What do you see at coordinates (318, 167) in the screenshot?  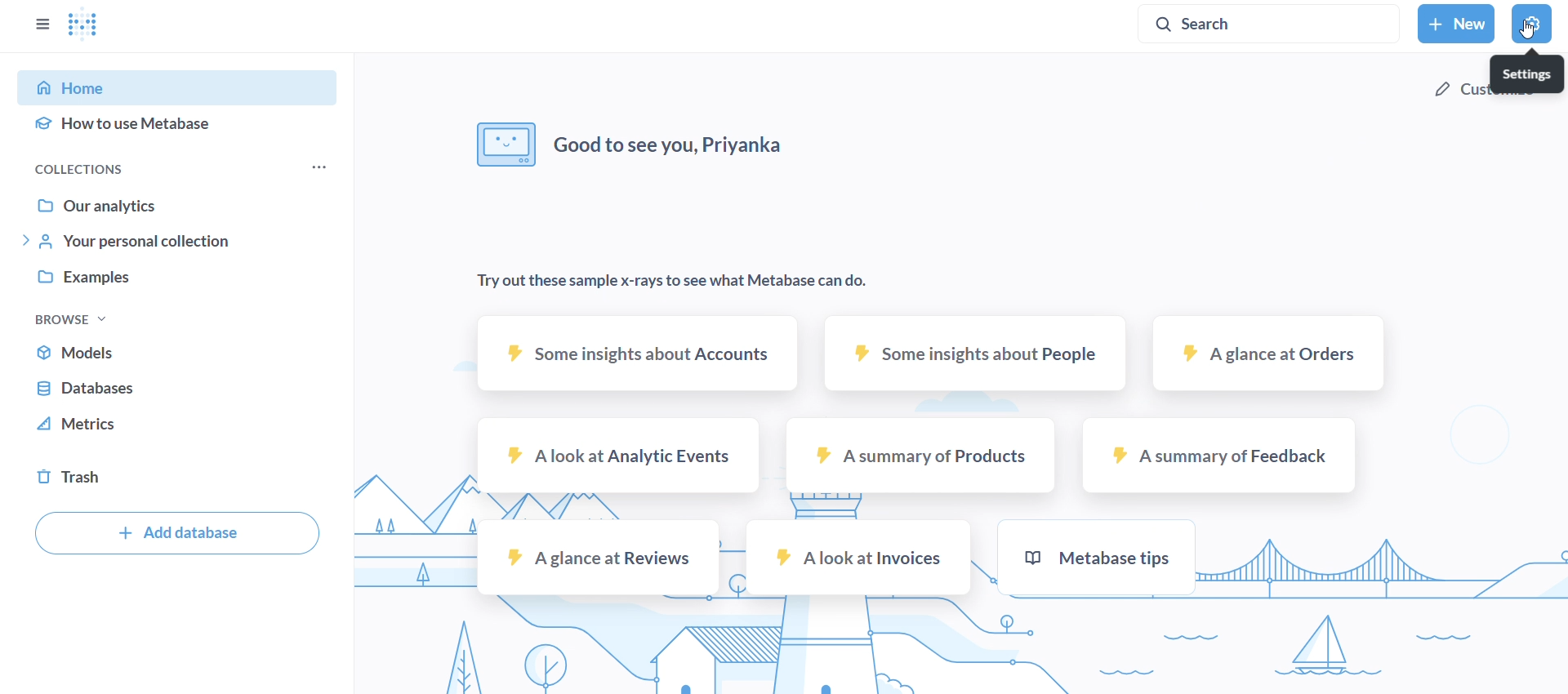 I see `more` at bounding box center [318, 167].